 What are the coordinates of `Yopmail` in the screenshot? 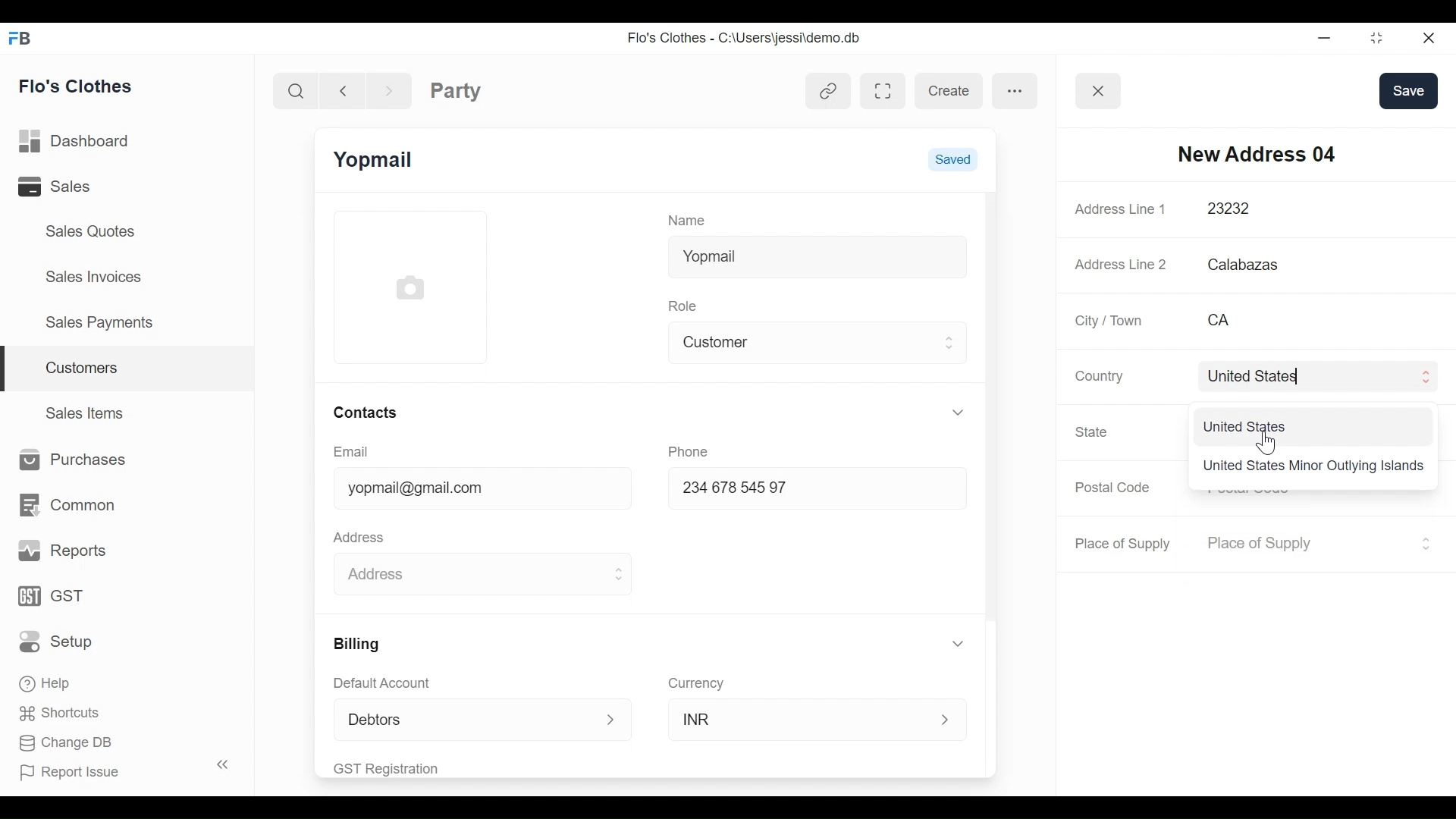 It's located at (375, 160).